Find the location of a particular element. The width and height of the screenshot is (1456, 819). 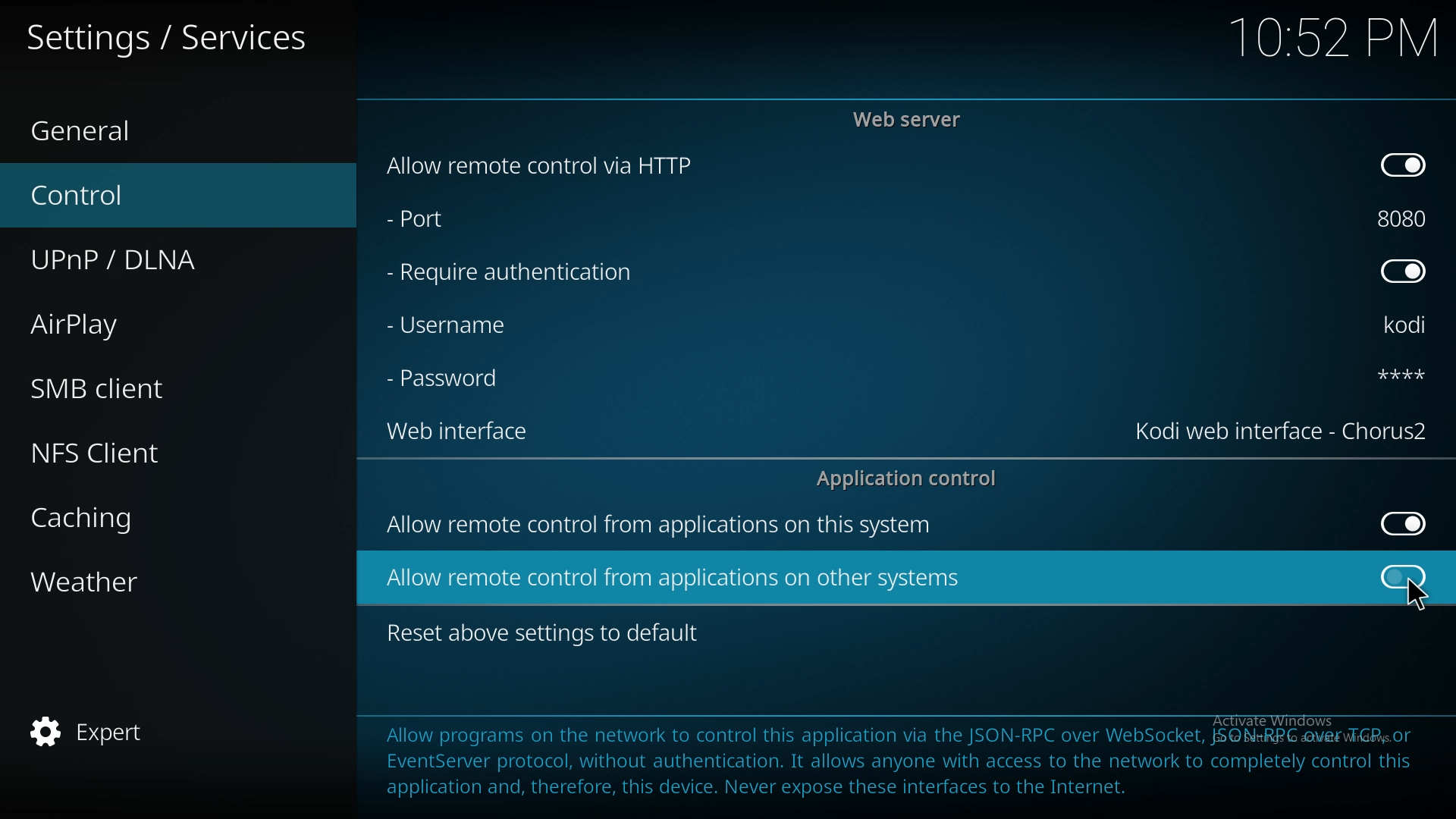

upnp/dlna is located at coordinates (162, 260).